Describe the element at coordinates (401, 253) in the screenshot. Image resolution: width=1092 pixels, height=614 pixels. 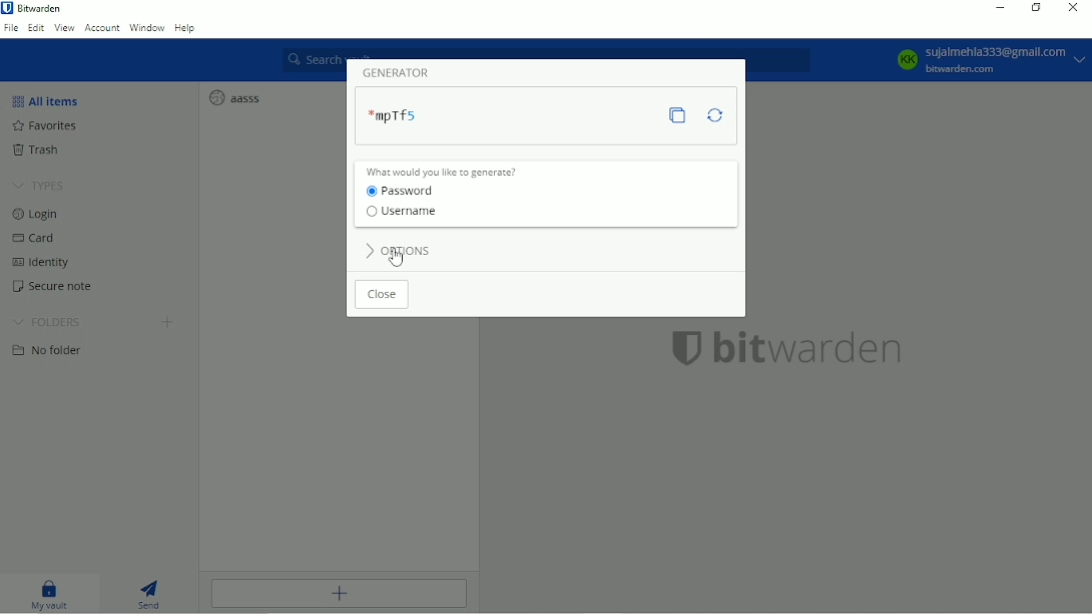
I see `Options` at that location.